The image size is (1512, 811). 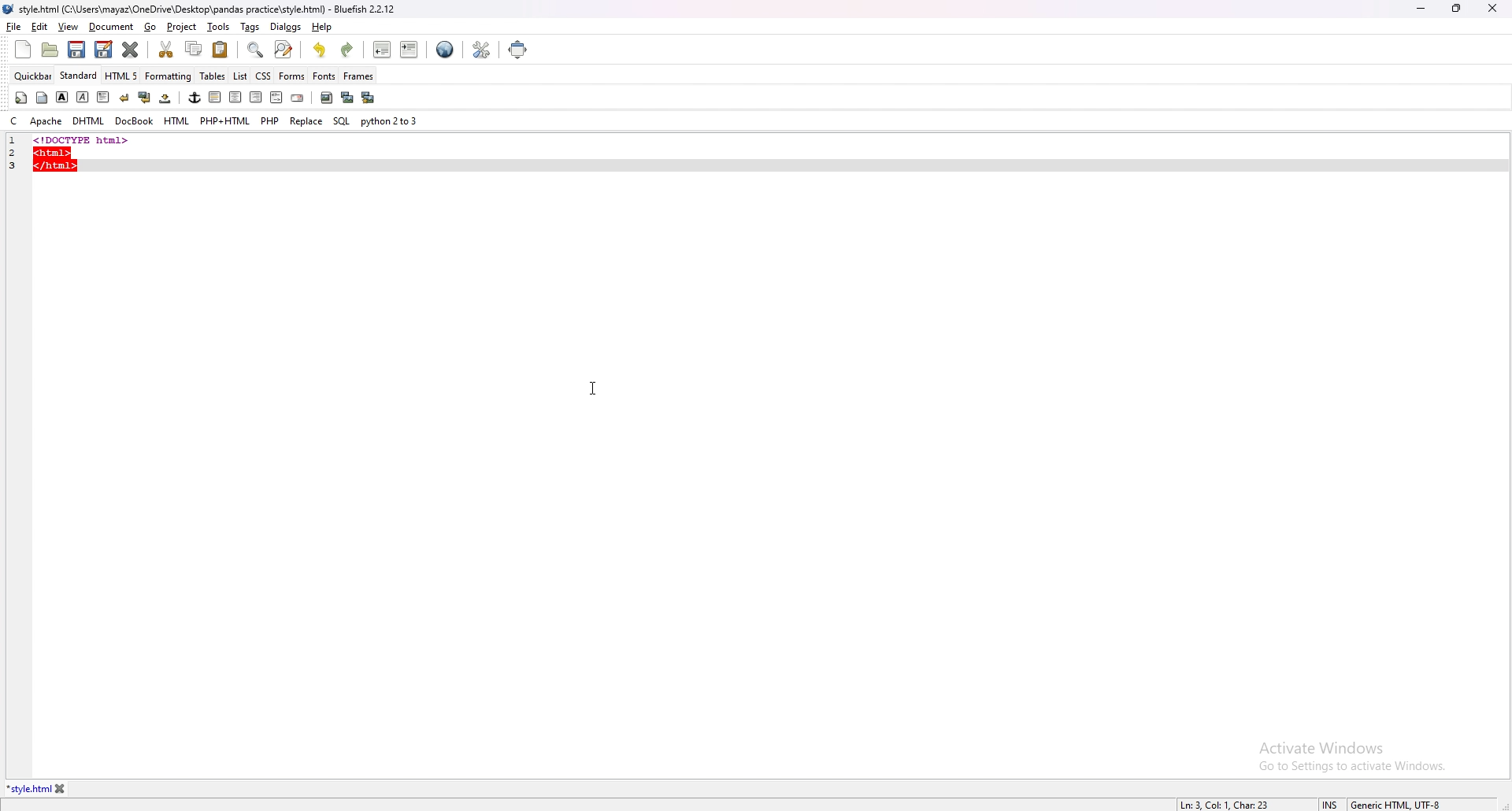 What do you see at coordinates (1421, 9) in the screenshot?
I see `minimize` at bounding box center [1421, 9].